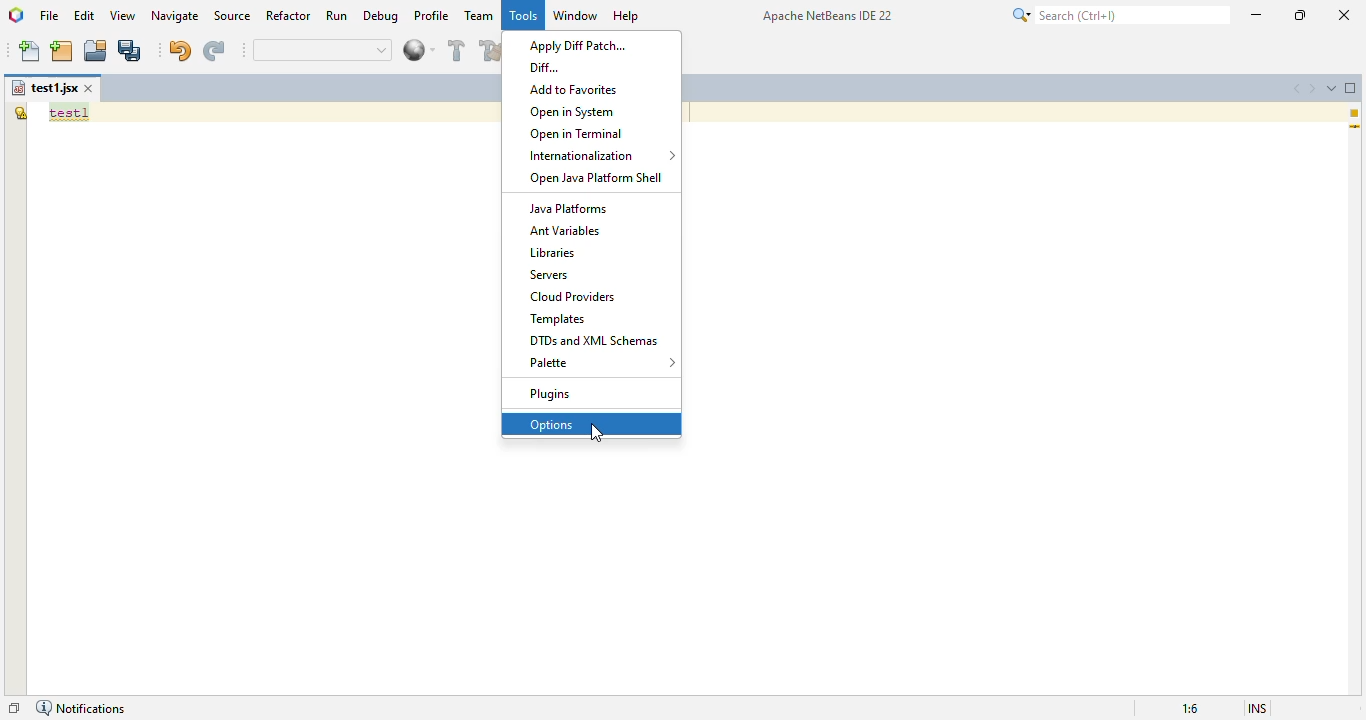 The image size is (1366, 720). Describe the element at coordinates (595, 340) in the screenshot. I see `DTDs and XML schemas` at that location.